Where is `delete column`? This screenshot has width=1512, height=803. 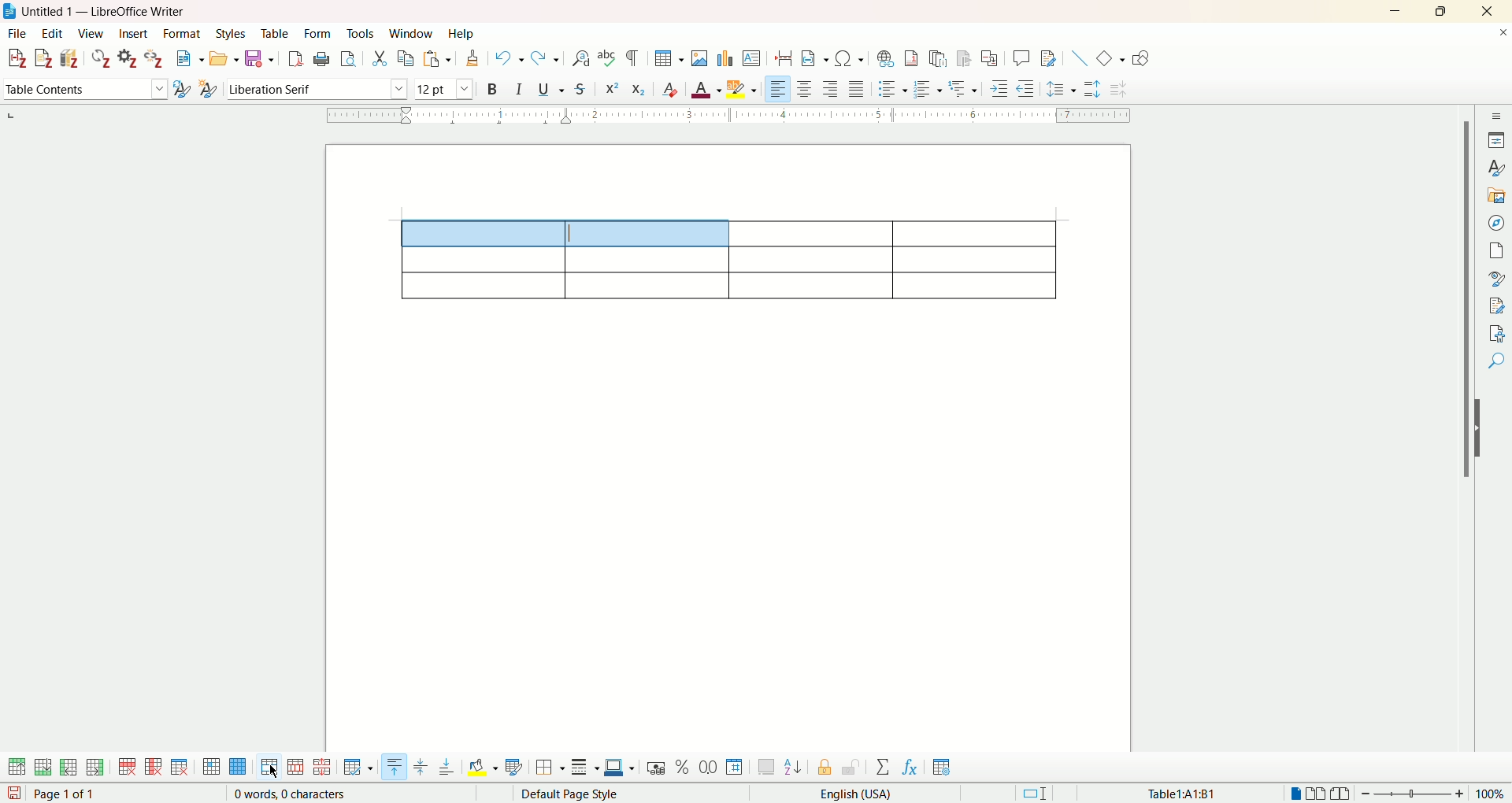 delete column is located at coordinates (155, 768).